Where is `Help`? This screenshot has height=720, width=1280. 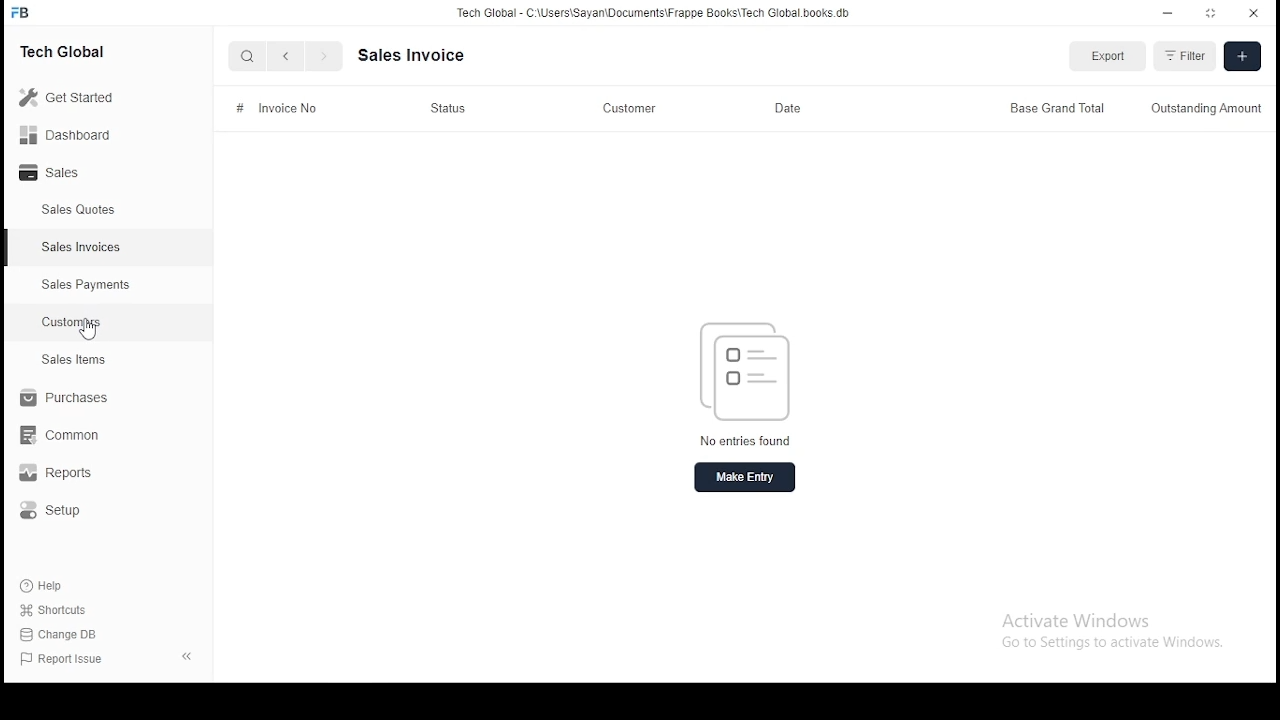 Help is located at coordinates (46, 586).